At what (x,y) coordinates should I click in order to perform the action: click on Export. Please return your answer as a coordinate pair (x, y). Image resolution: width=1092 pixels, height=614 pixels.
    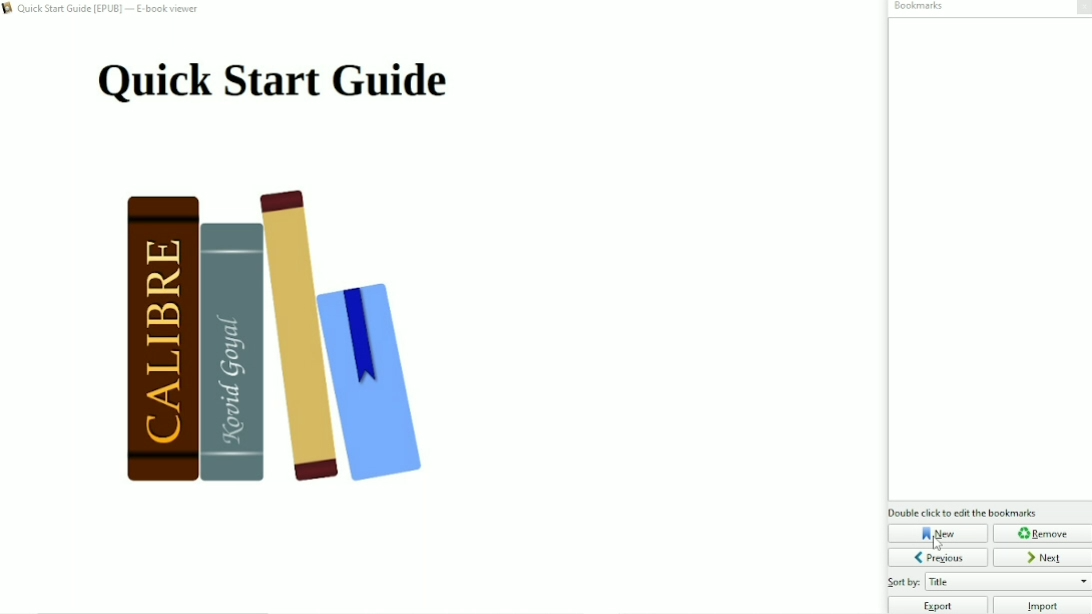
    Looking at the image, I should click on (937, 605).